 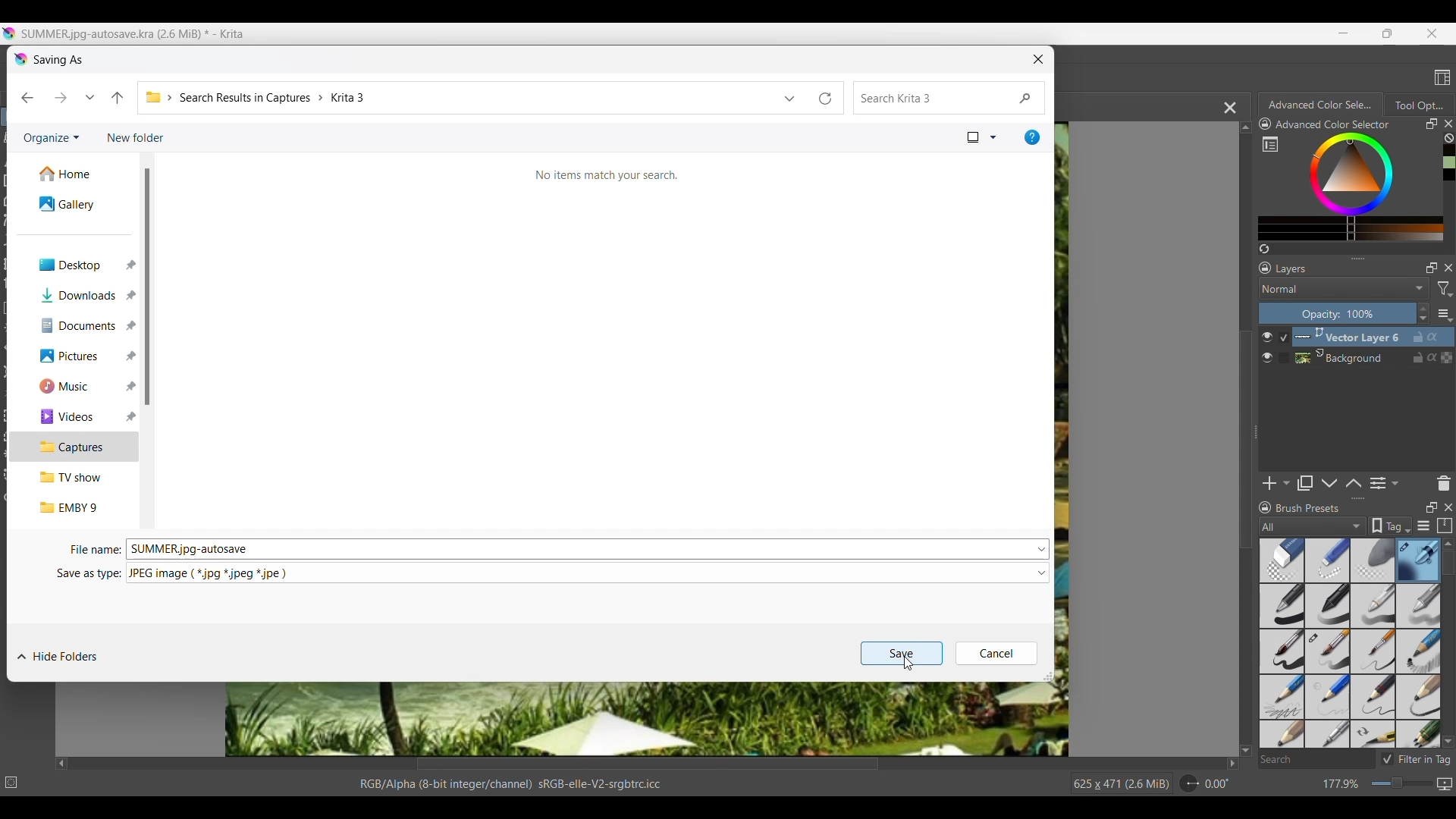 I want to click on Music folder, so click(x=74, y=386).